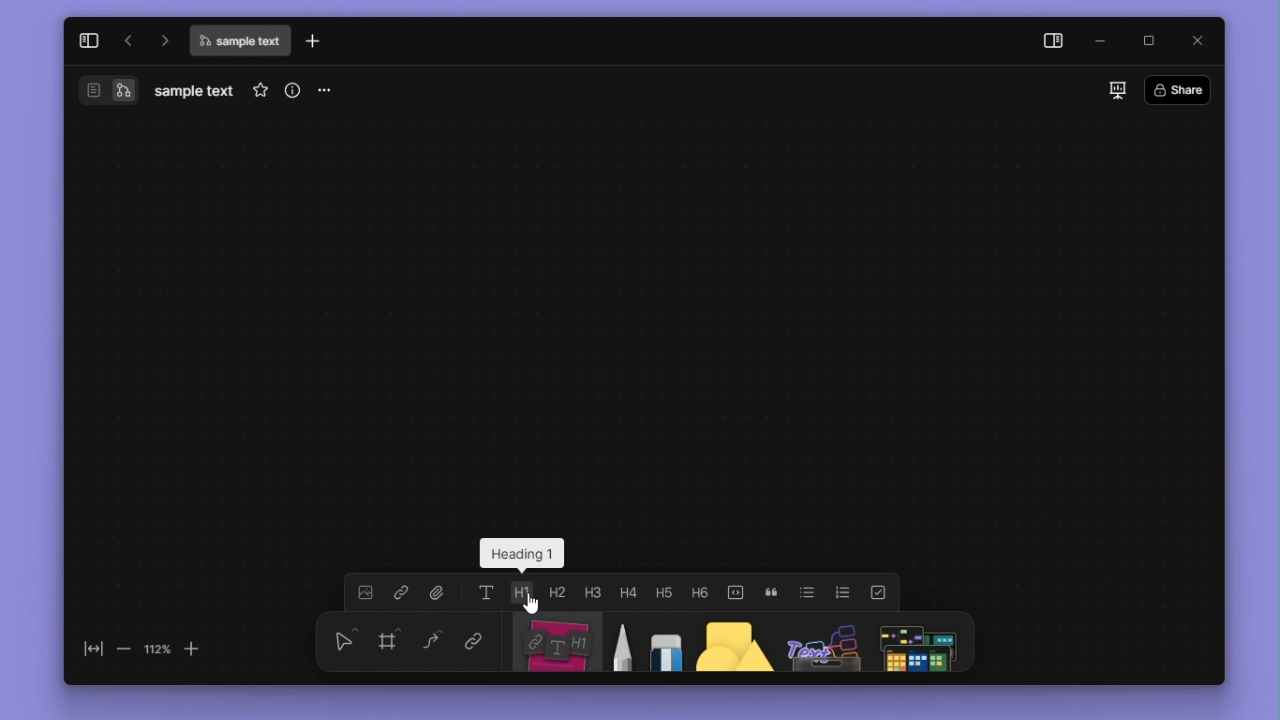 This screenshot has width=1280, height=720. What do you see at coordinates (365, 592) in the screenshot?
I see `image` at bounding box center [365, 592].